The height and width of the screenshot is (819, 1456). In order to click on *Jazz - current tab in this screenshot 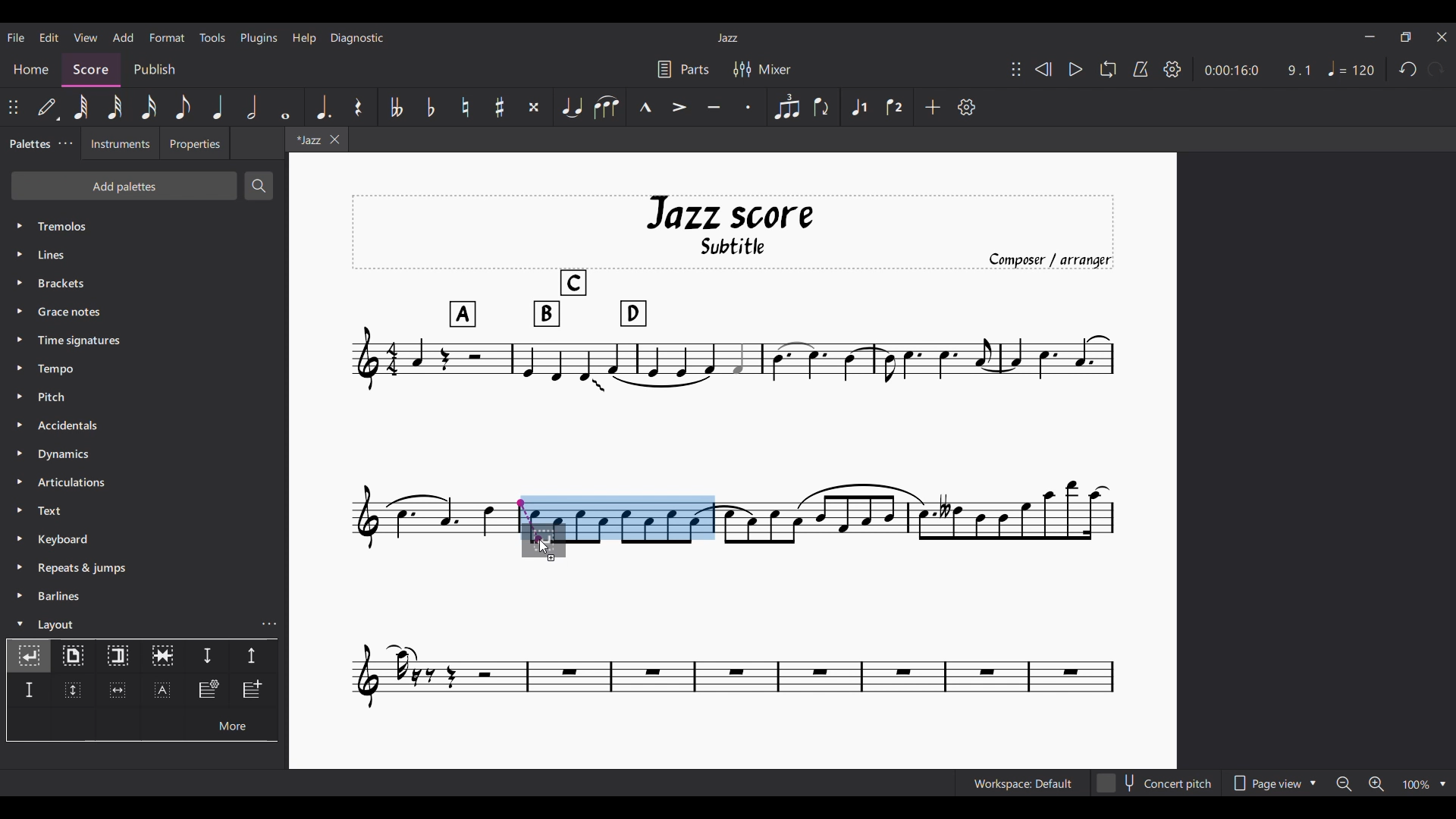, I will do `click(306, 139)`.